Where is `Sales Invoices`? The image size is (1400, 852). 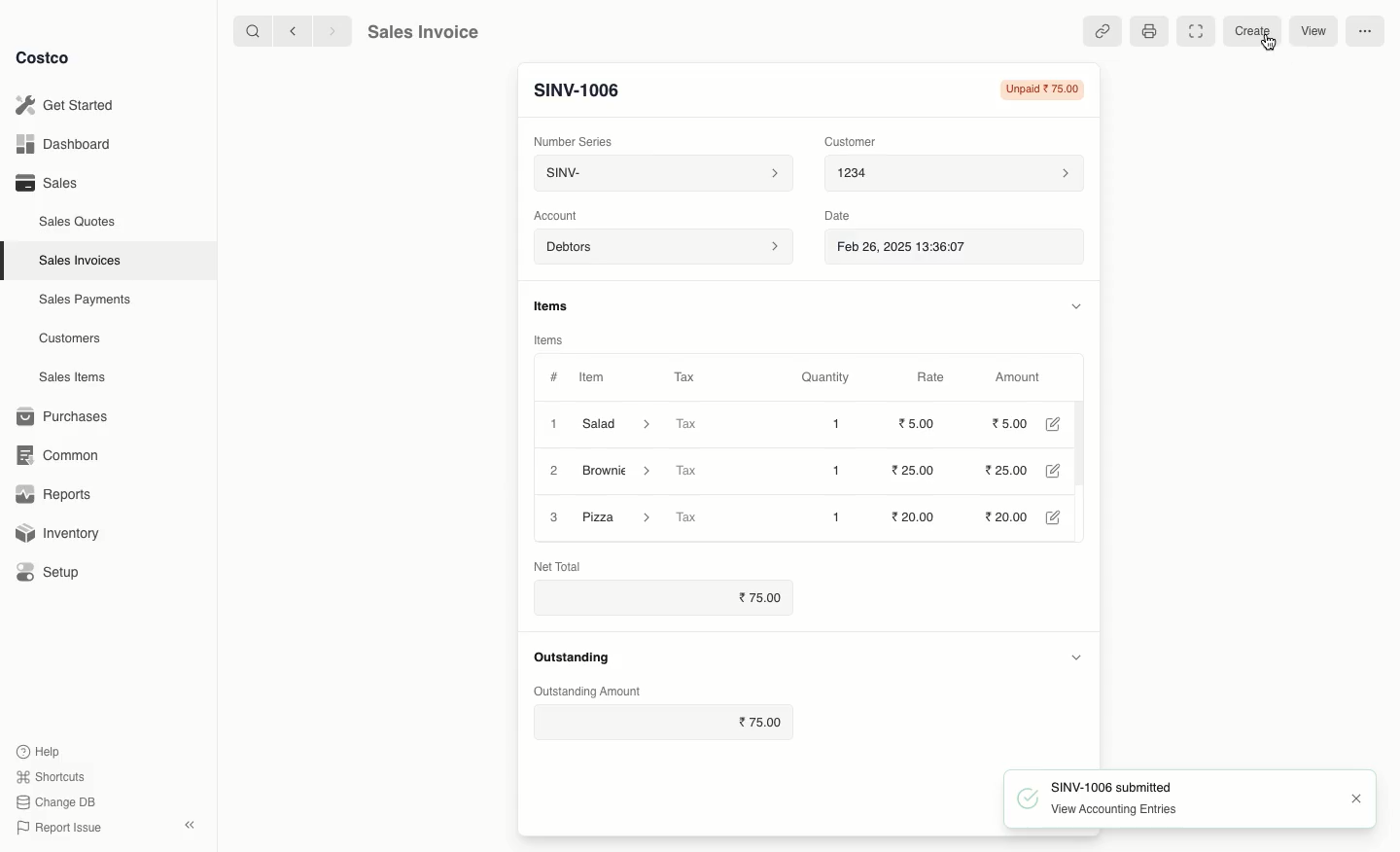
Sales Invoices is located at coordinates (81, 261).